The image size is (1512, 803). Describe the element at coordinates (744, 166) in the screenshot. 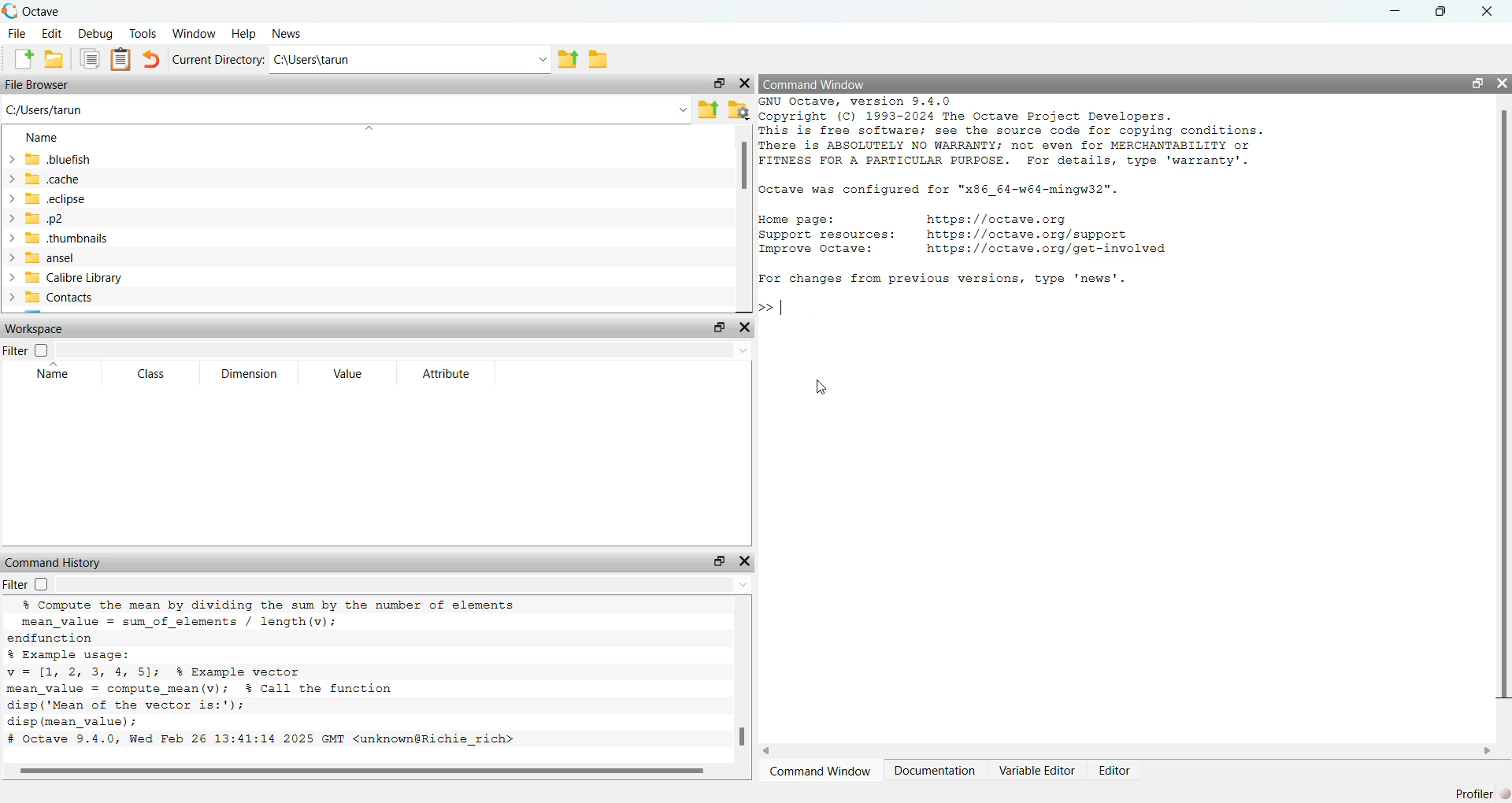

I see `scroll bar` at that location.